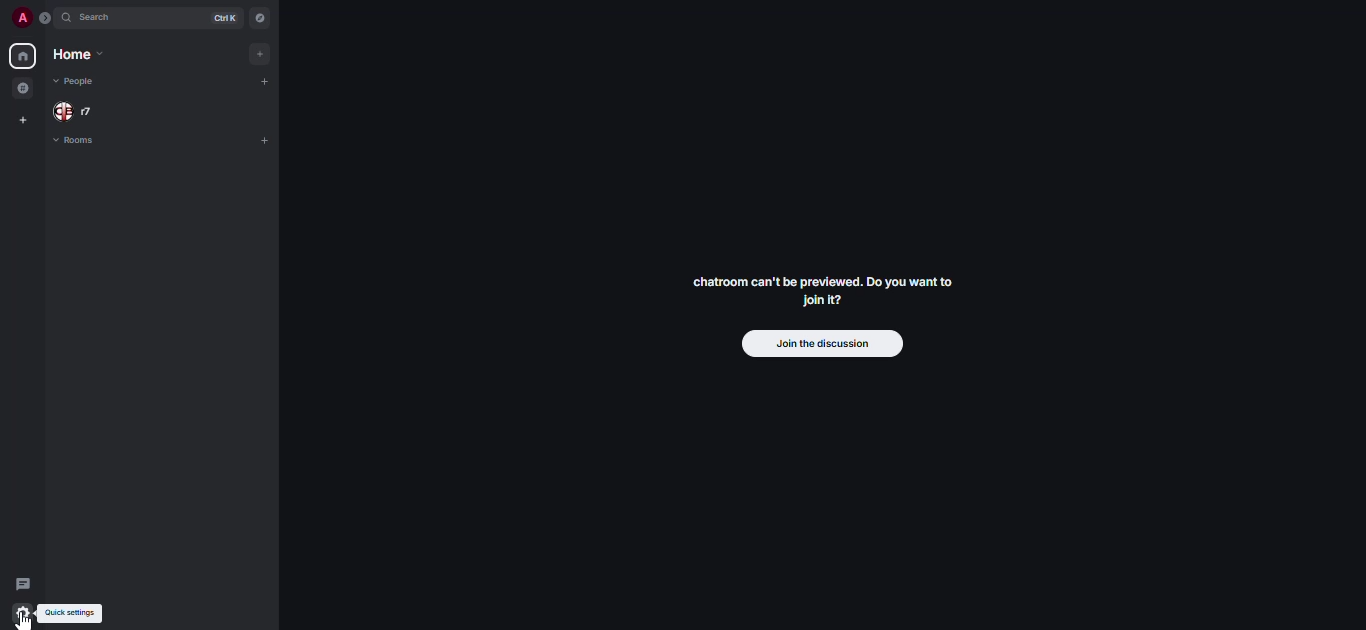 This screenshot has width=1366, height=630. I want to click on people, so click(74, 82).